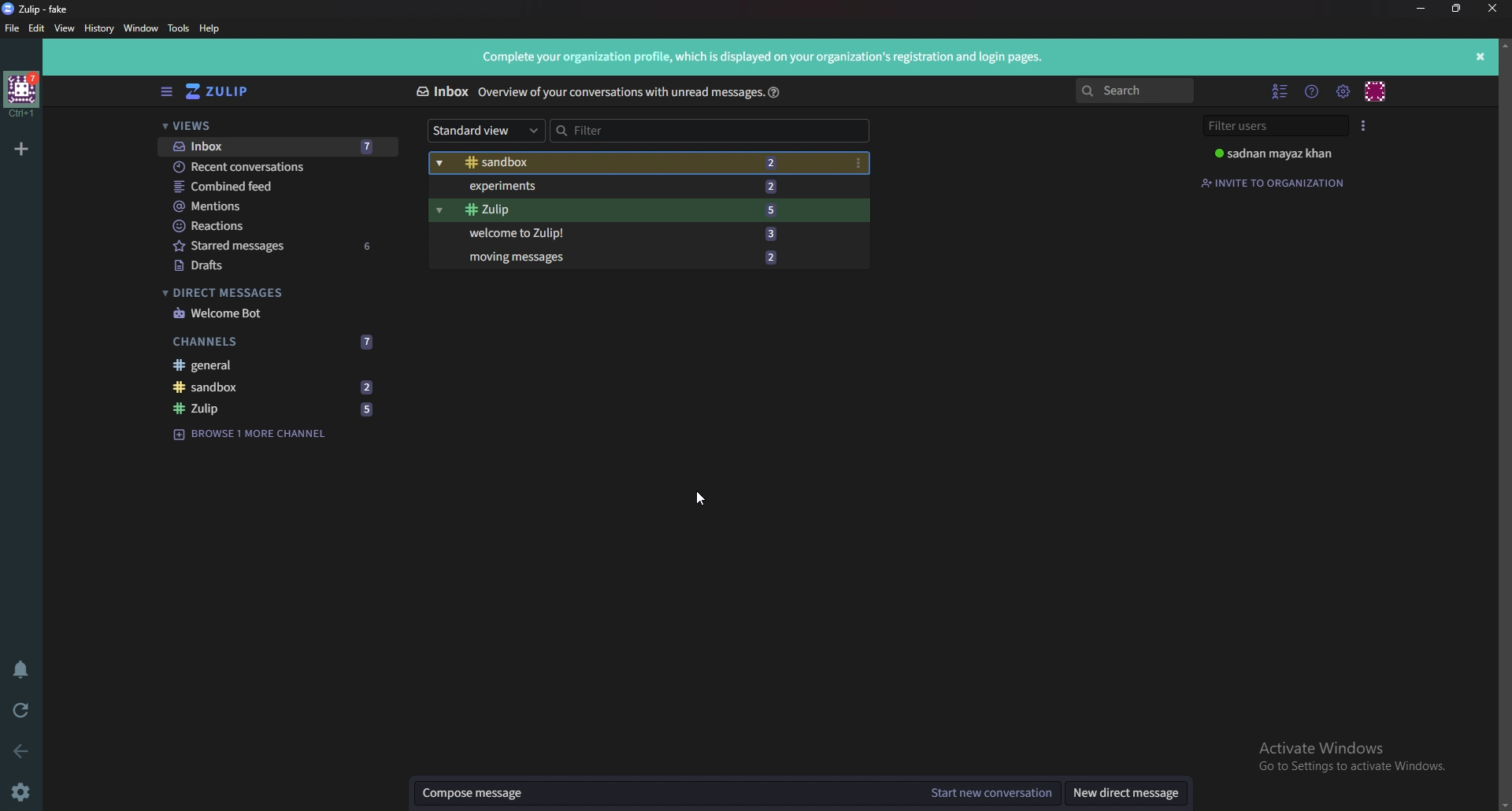 The image size is (1512, 811). I want to click on New direct message, so click(1125, 793).